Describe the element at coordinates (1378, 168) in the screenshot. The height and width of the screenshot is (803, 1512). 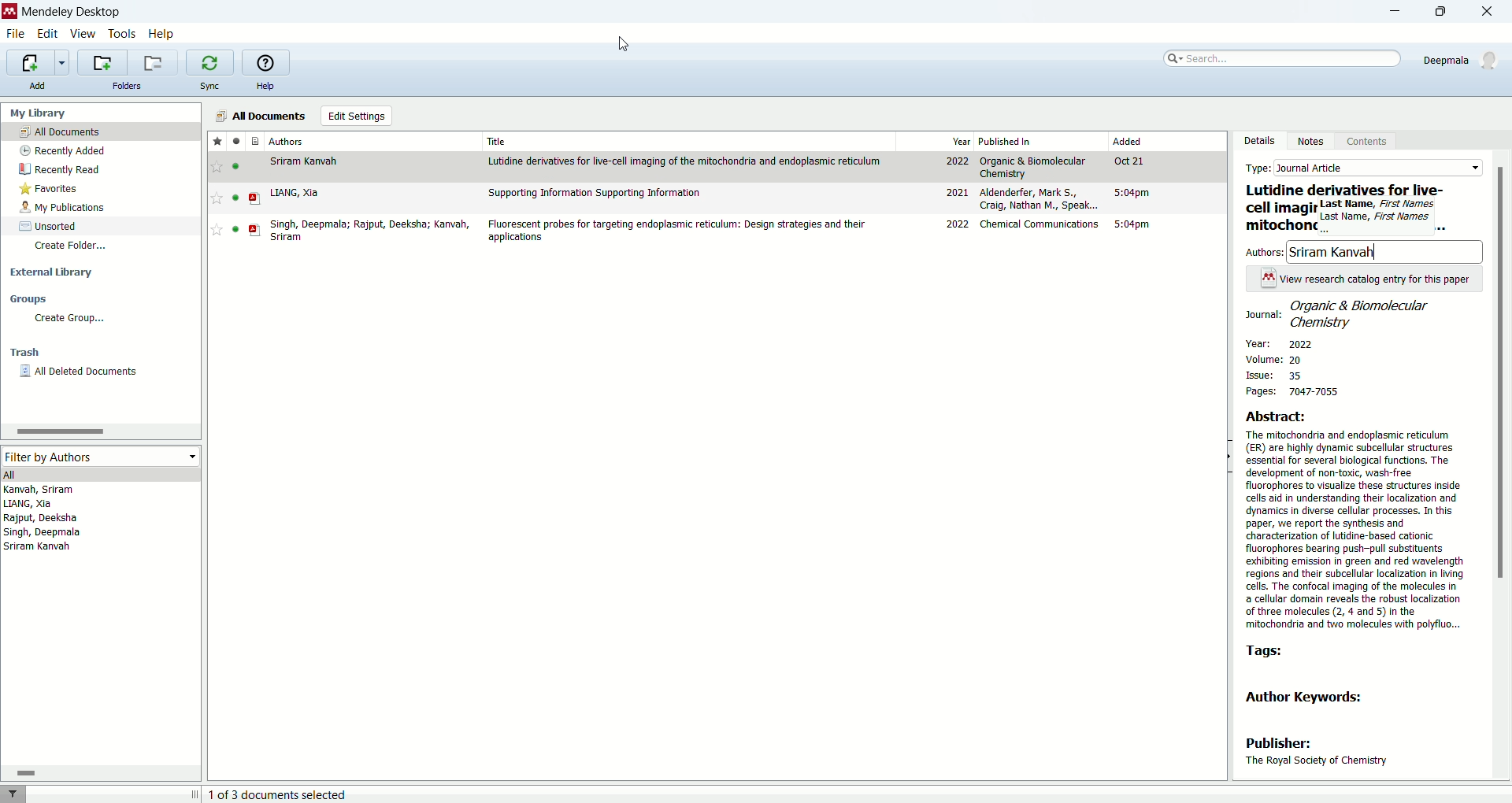
I see `Journal article` at that location.